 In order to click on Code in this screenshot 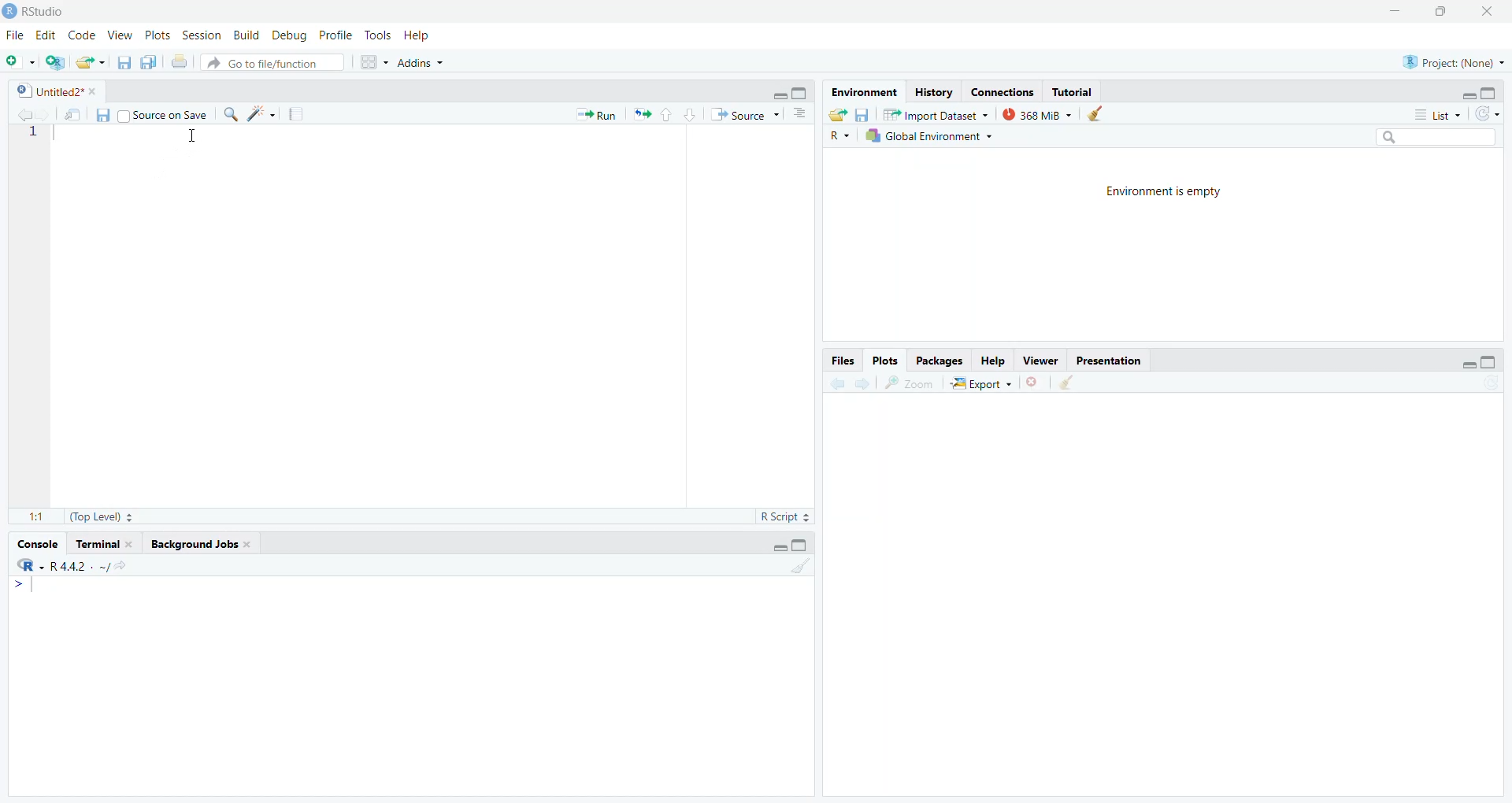, I will do `click(83, 36)`.